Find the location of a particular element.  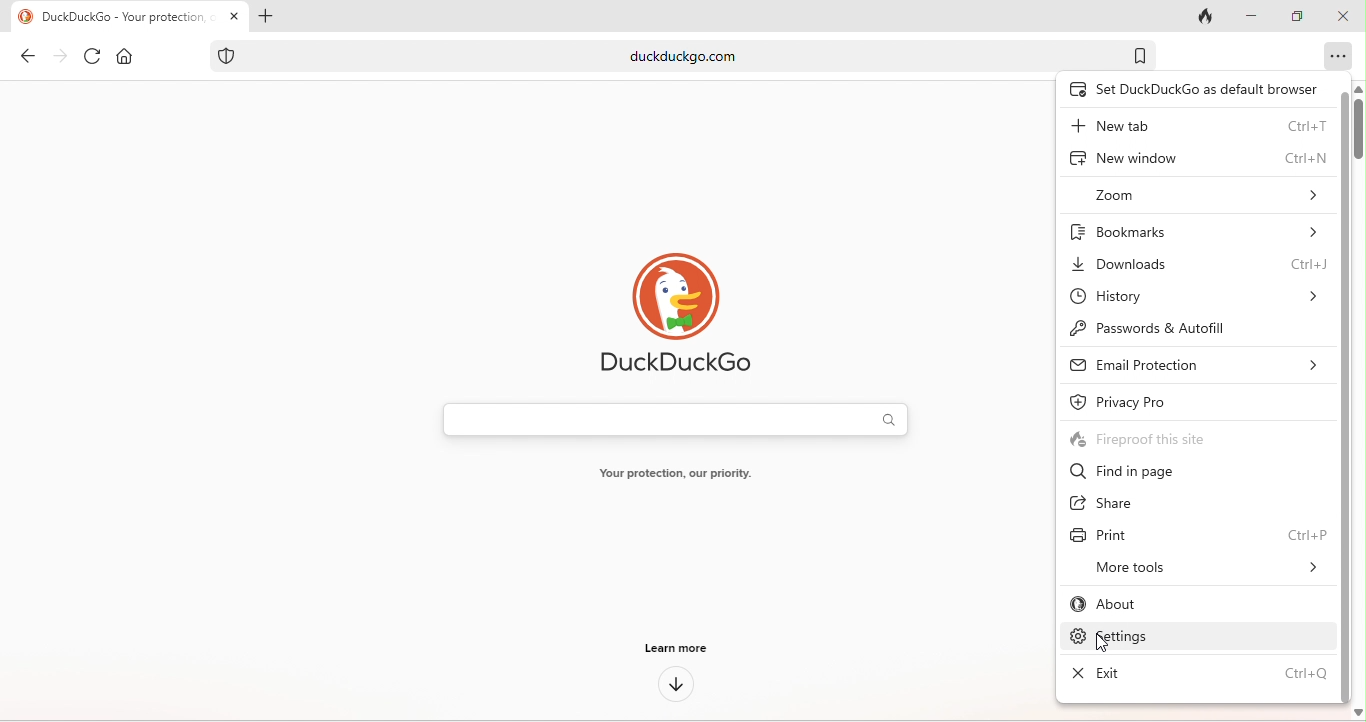

close is located at coordinates (237, 15).